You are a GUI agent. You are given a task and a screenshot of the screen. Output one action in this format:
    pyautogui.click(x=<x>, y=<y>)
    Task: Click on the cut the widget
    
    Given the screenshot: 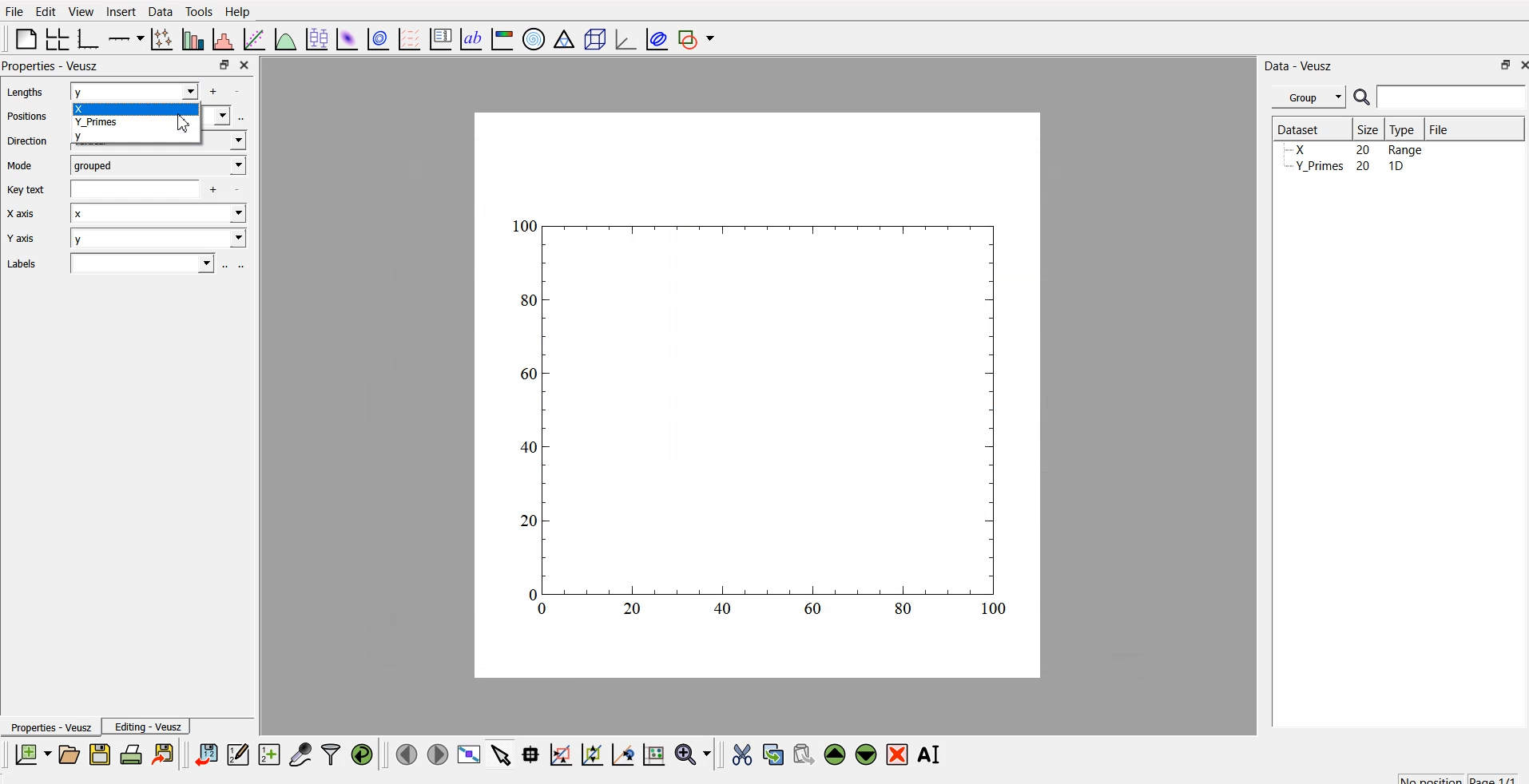 What is the action you would take?
    pyautogui.click(x=738, y=754)
    